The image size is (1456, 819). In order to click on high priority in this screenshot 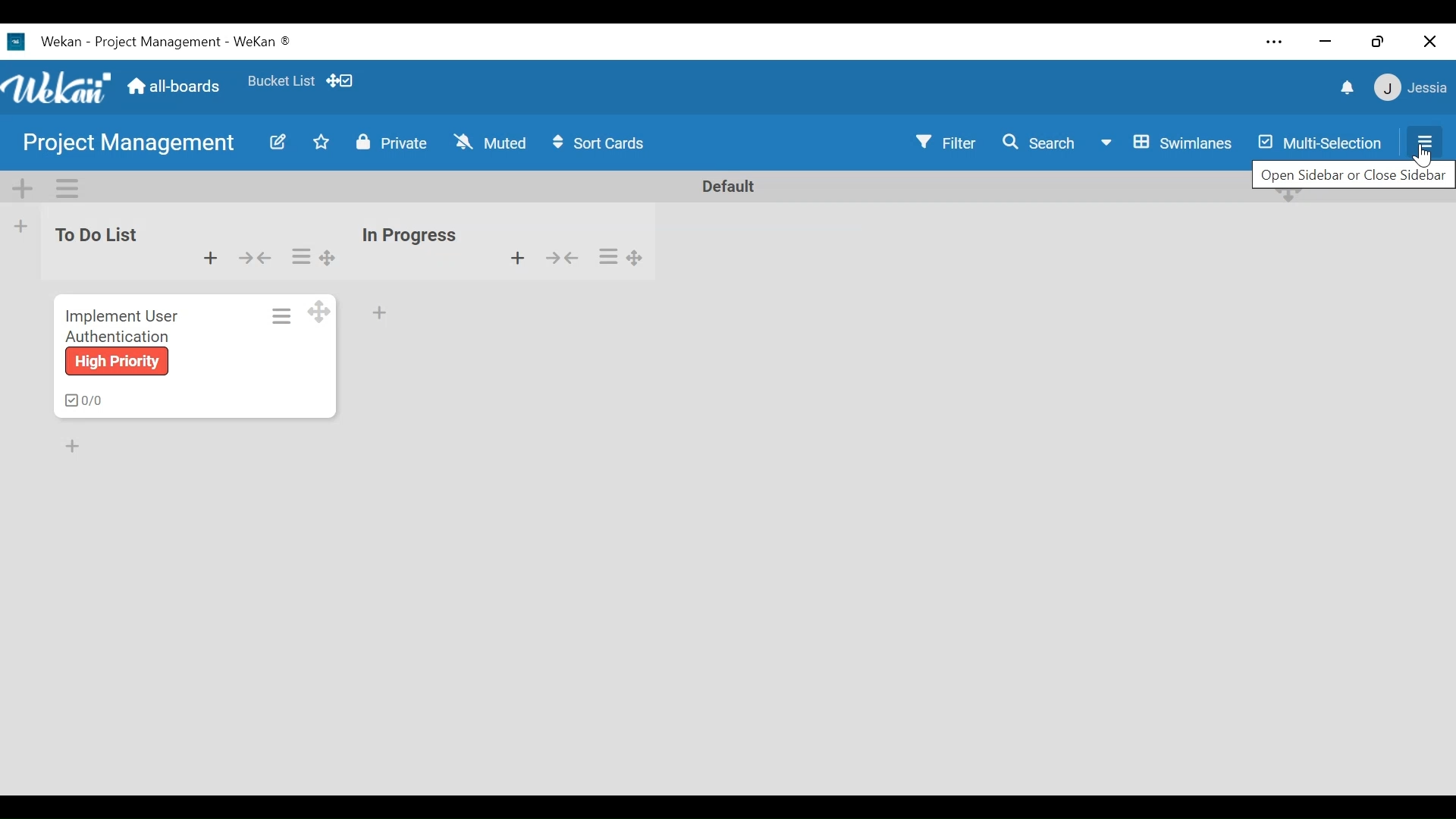, I will do `click(115, 362)`.